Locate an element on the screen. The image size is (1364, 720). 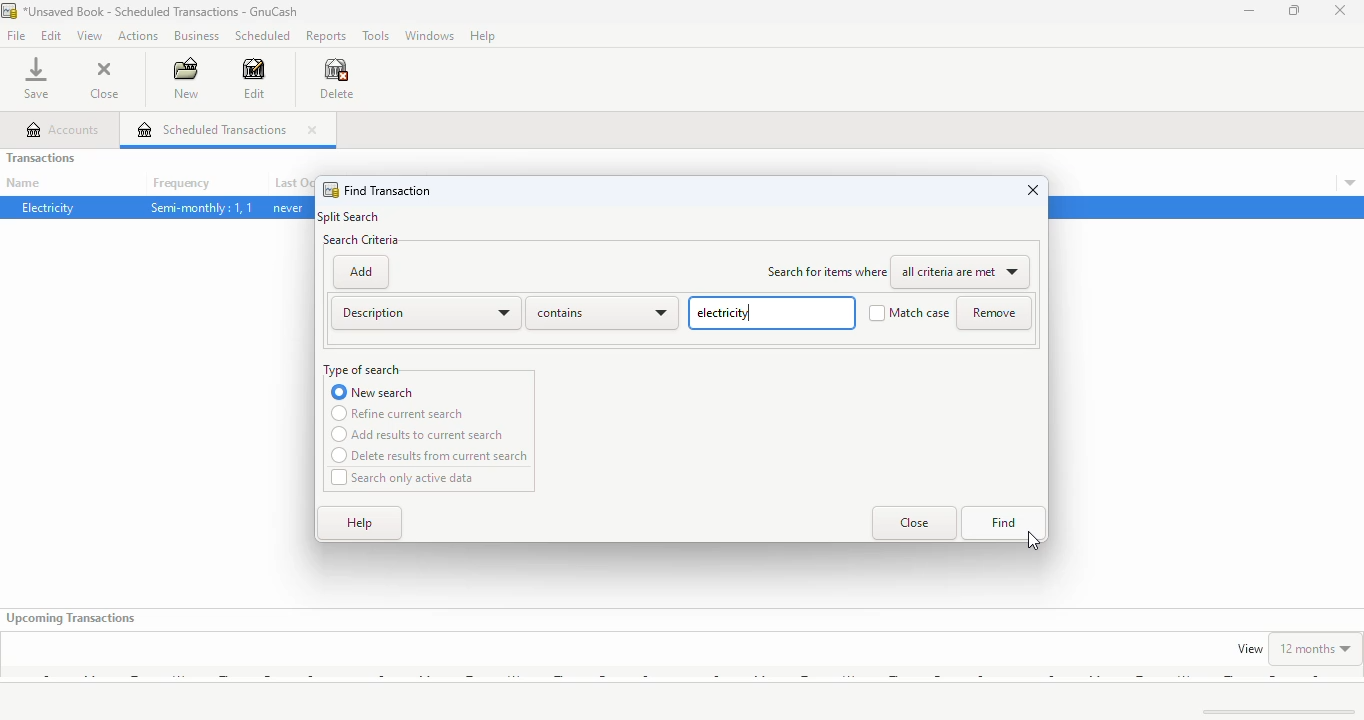
close tab is located at coordinates (311, 130).